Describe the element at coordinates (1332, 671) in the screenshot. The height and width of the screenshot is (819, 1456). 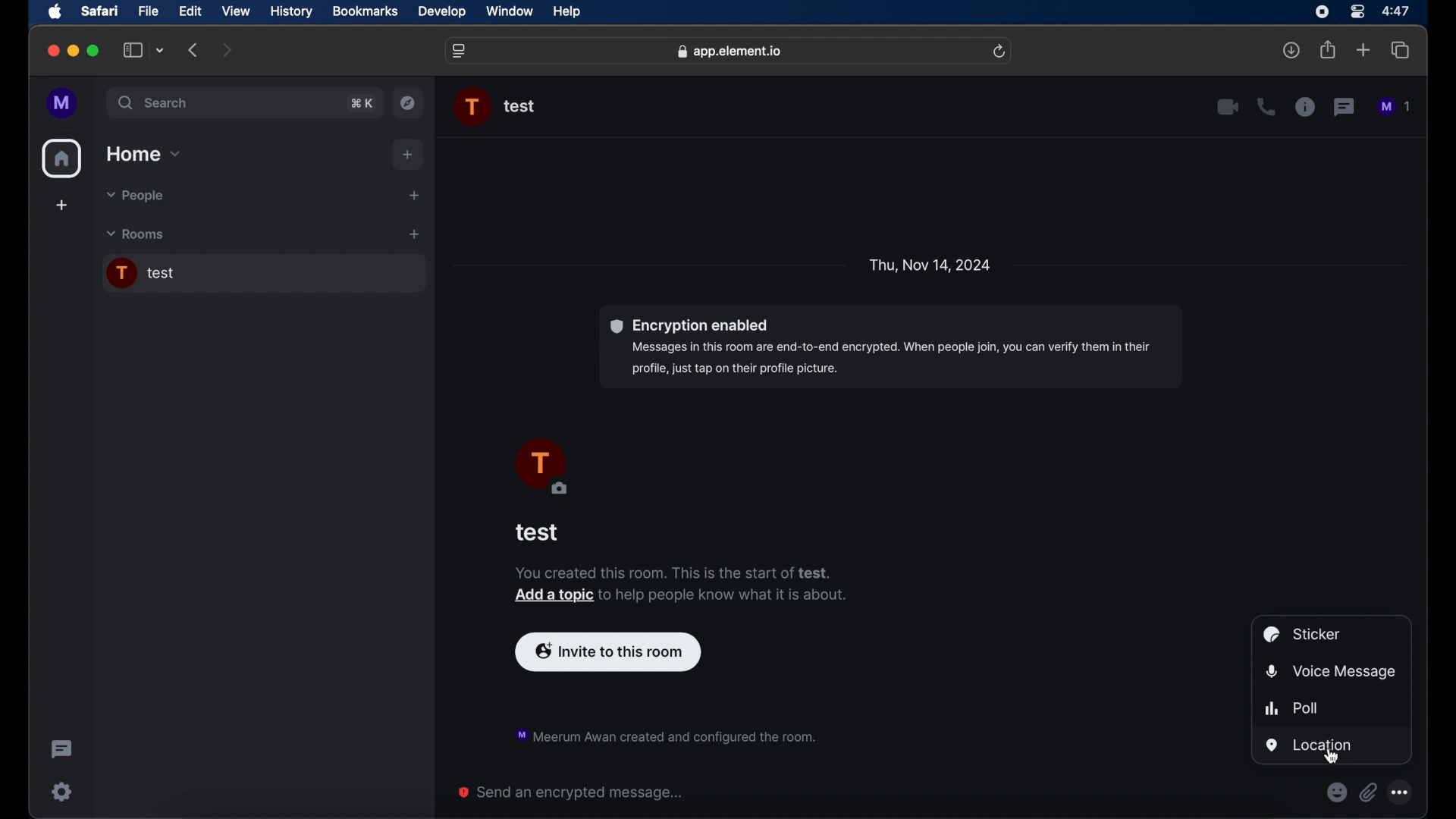
I see `voice message` at that location.